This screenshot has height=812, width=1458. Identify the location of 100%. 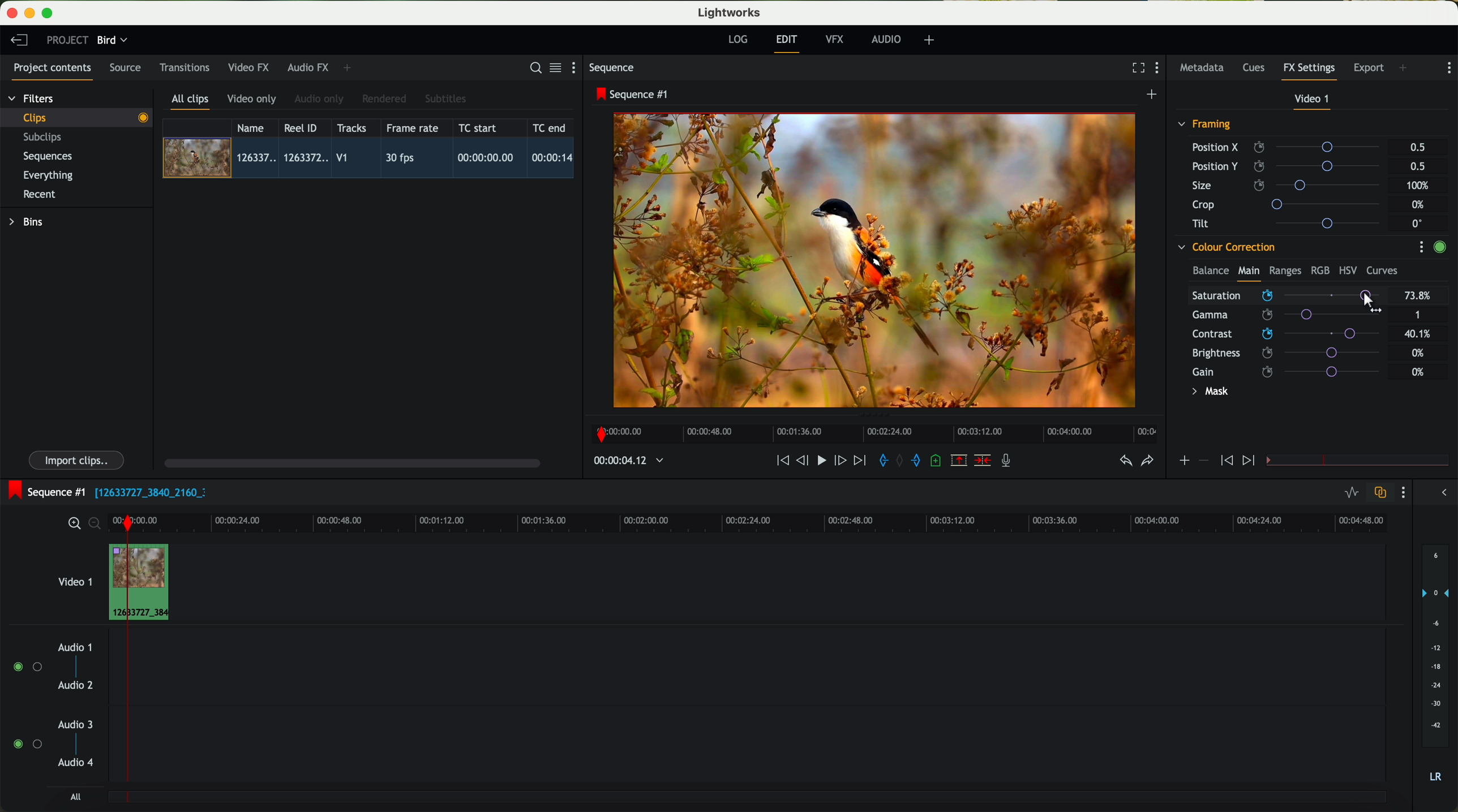
(1421, 186).